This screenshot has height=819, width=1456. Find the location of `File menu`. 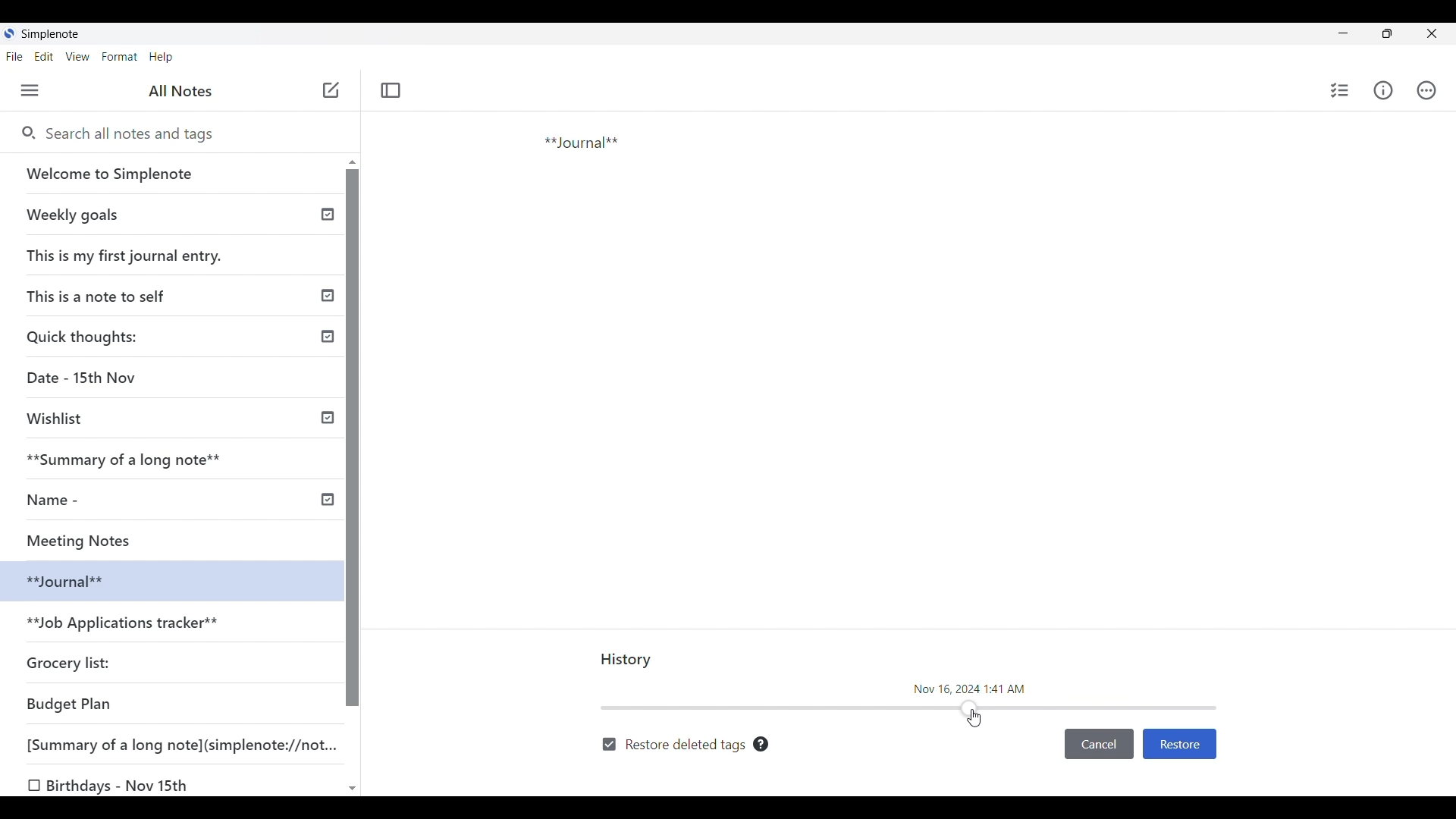

File menu is located at coordinates (15, 57).